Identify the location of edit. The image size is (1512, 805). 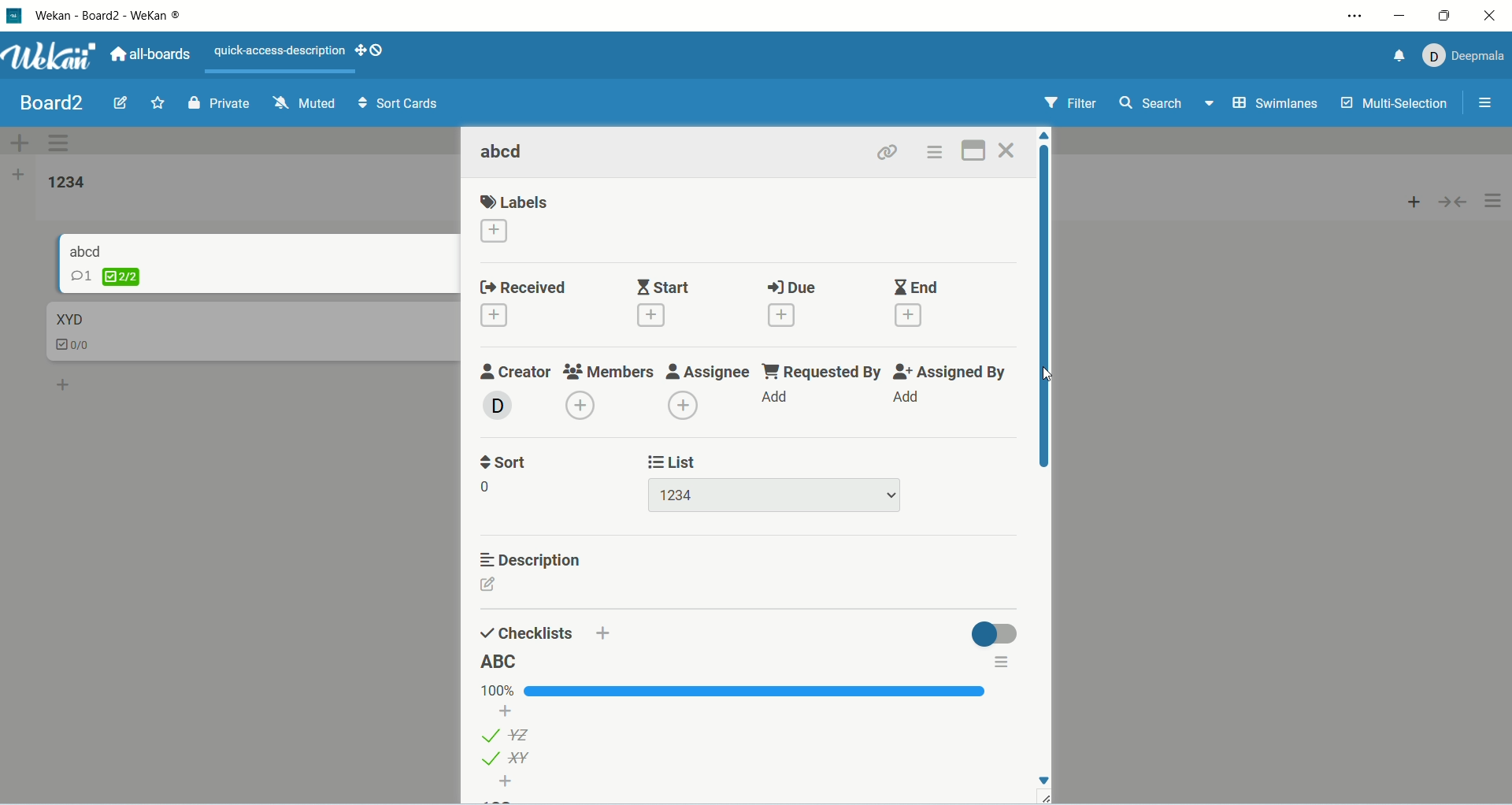
(494, 586).